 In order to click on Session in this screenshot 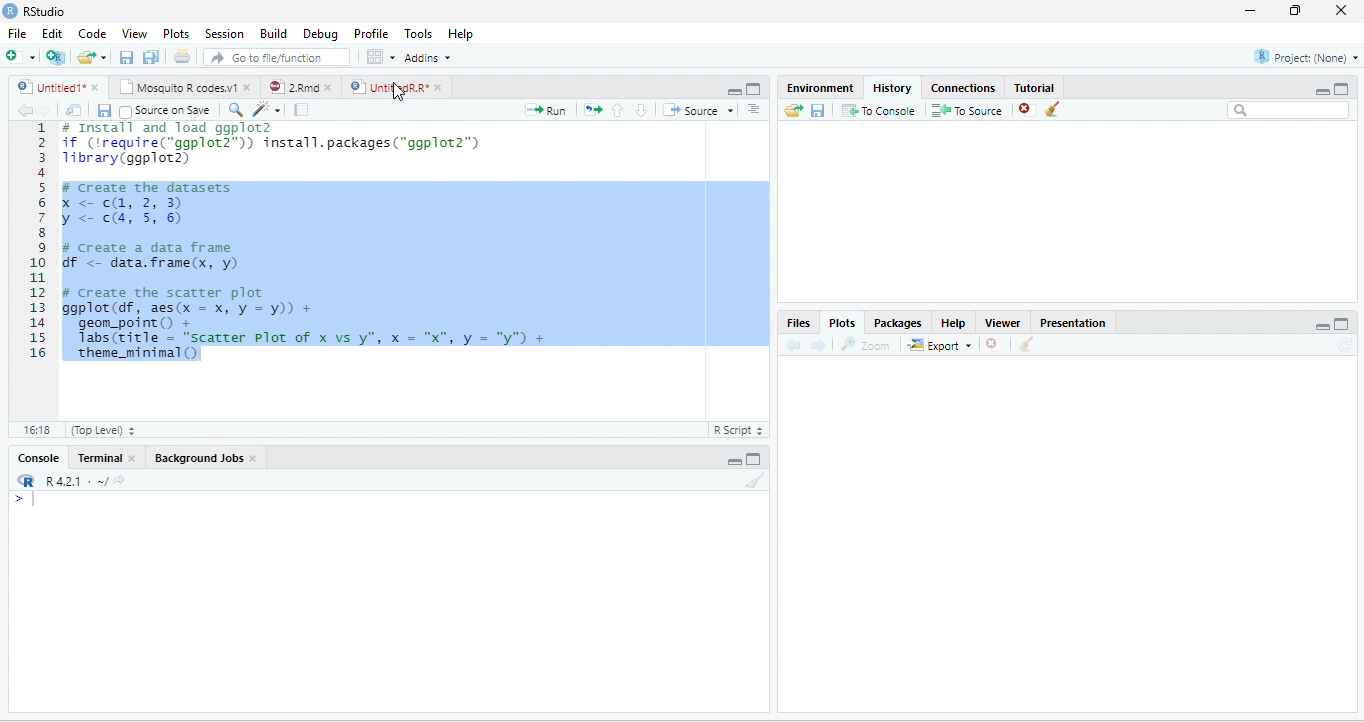, I will do `click(225, 33)`.